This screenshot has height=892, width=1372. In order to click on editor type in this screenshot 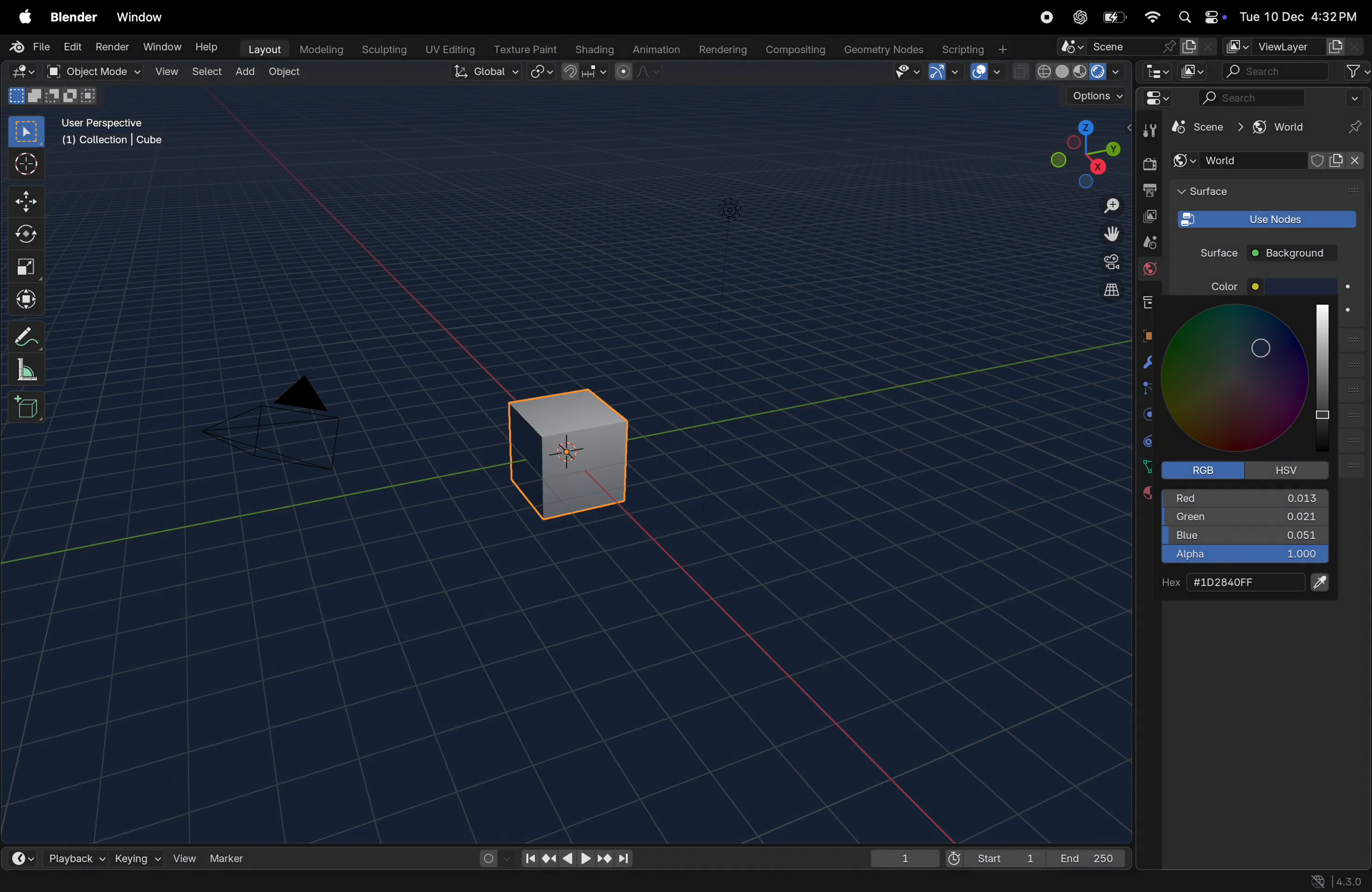, I will do `click(25, 72)`.